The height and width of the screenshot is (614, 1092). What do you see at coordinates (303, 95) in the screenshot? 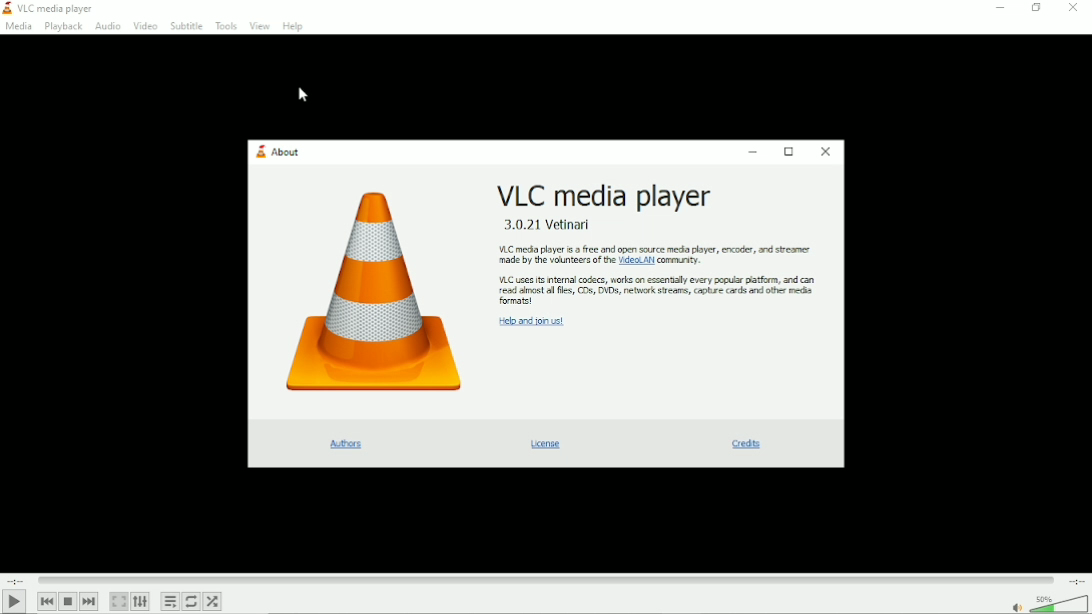
I see `Cursor` at bounding box center [303, 95].